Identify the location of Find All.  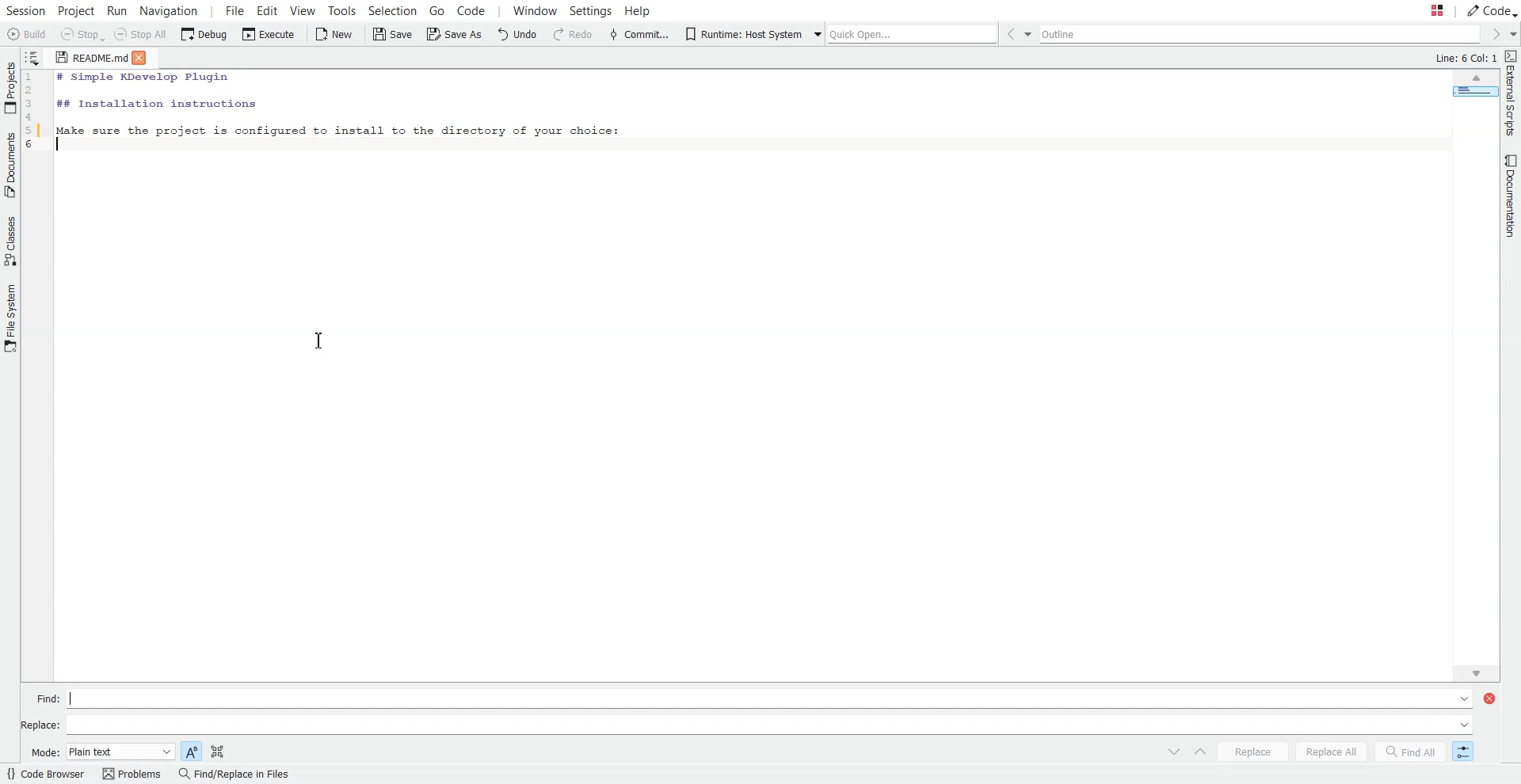
(1412, 752).